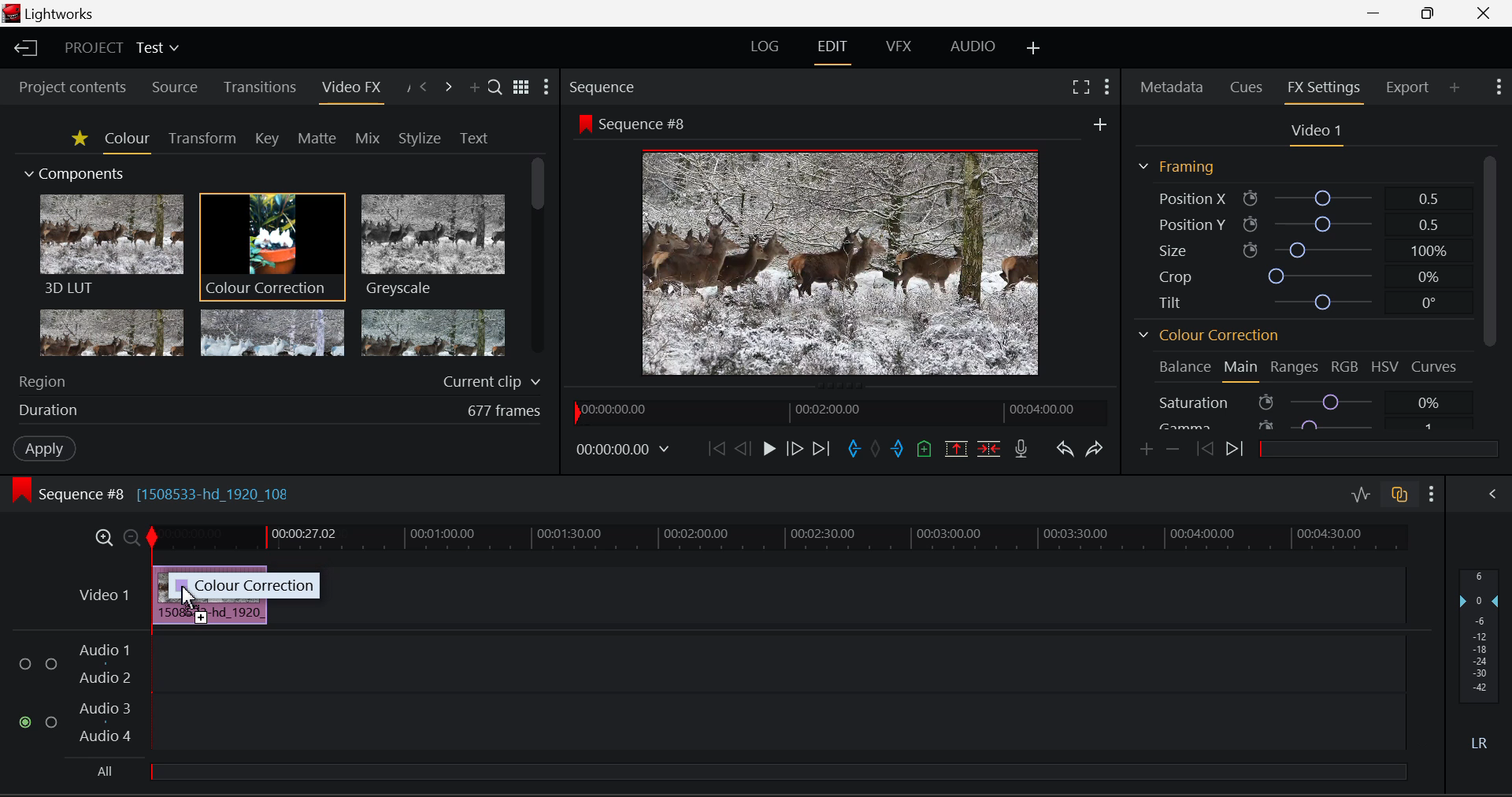 The image size is (1512, 797). What do you see at coordinates (24, 49) in the screenshot?
I see `Back to Homepage` at bounding box center [24, 49].